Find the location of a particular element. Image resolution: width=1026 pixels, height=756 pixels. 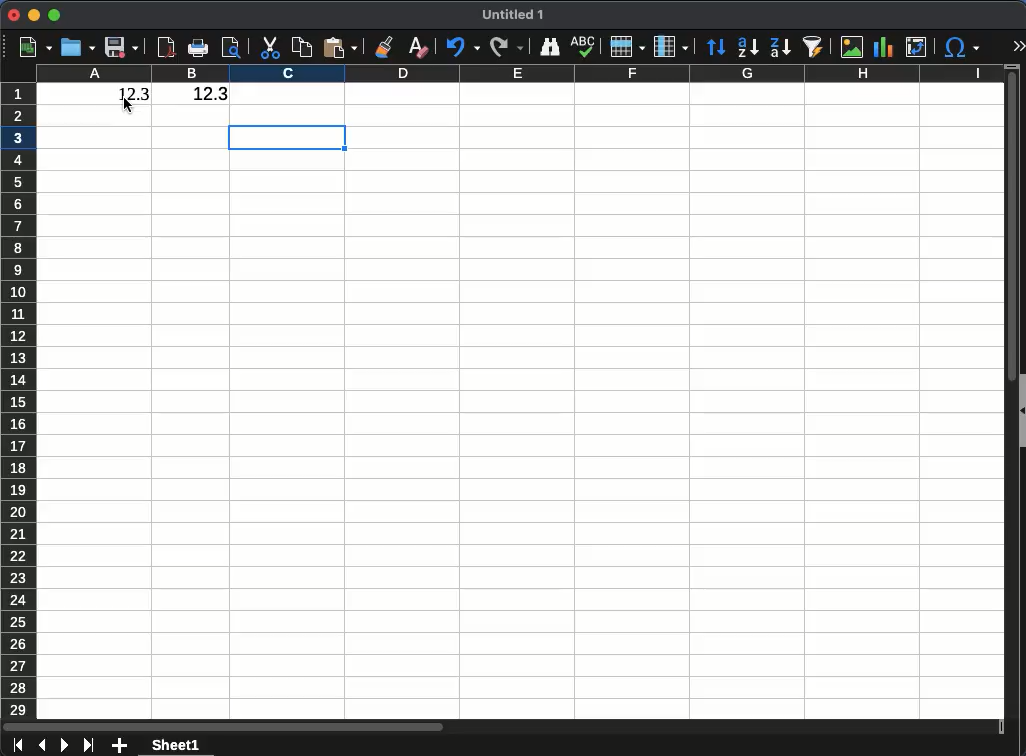

expand is located at coordinates (1018, 45).